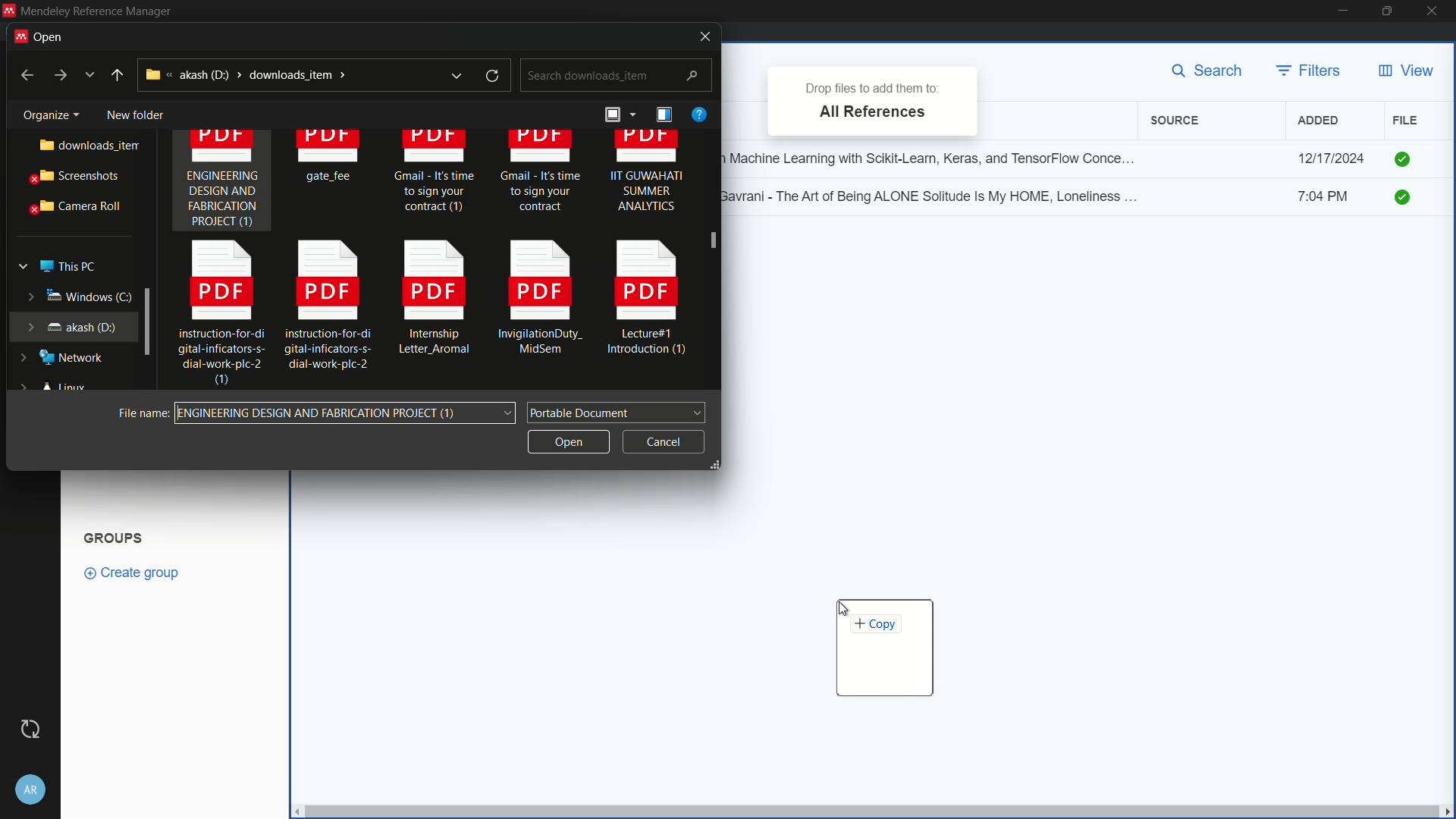 This screenshot has width=1456, height=819. What do you see at coordinates (1404, 158) in the screenshot?
I see `check` at bounding box center [1404, 158].